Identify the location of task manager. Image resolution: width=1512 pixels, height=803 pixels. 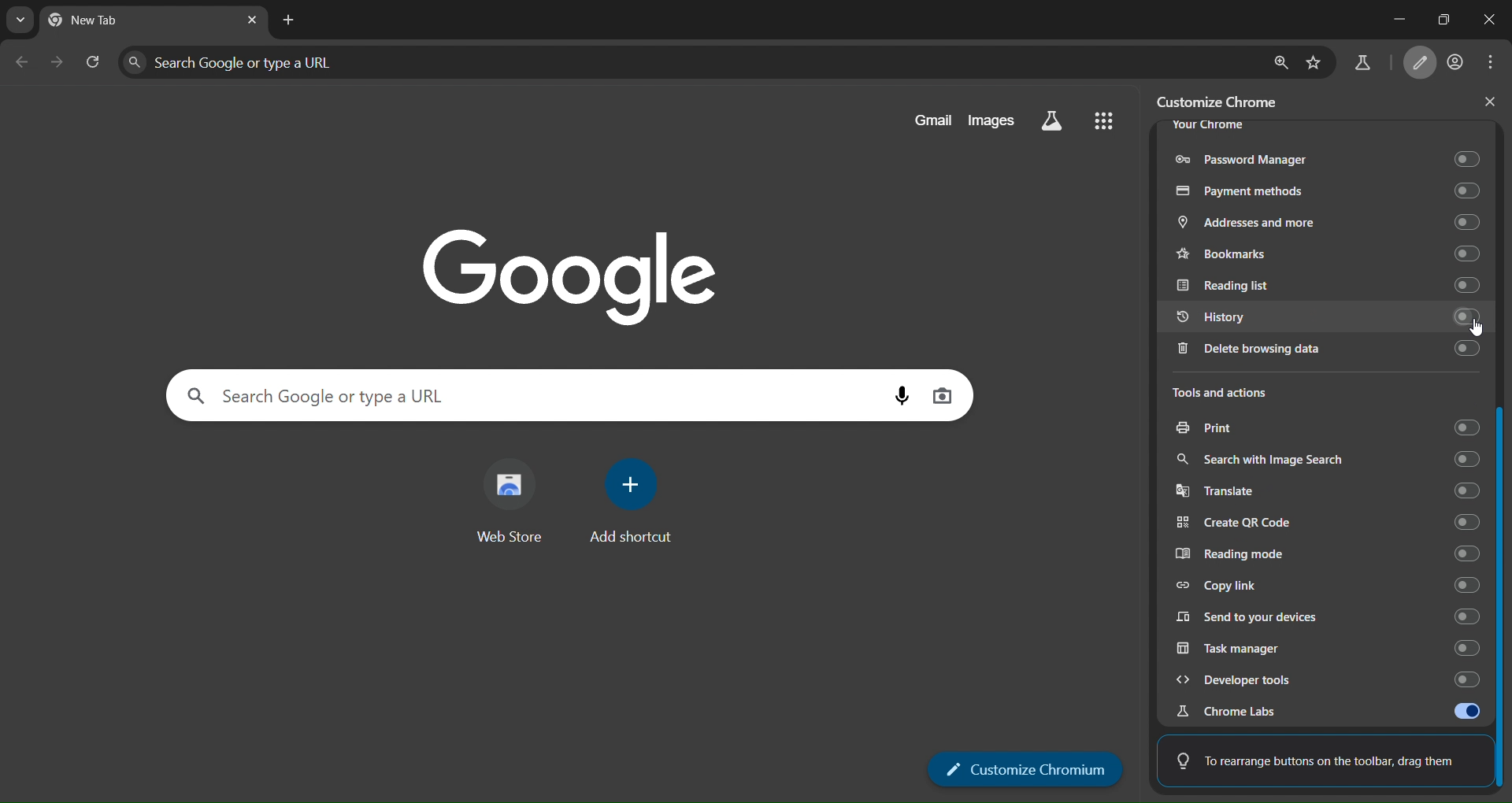
(1322, 647).